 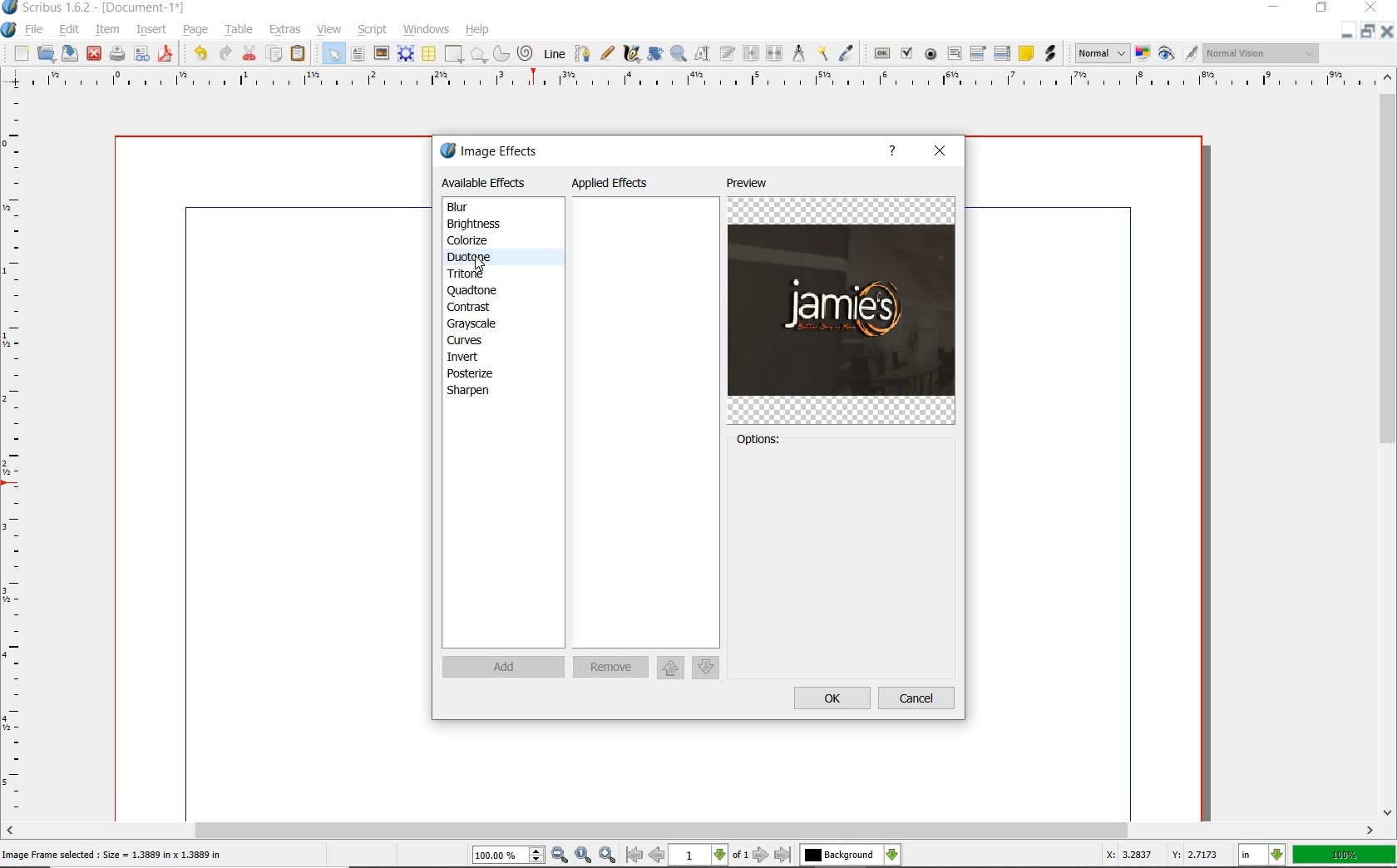 I want to click on RESTORE, so click(x=1370, y=31).